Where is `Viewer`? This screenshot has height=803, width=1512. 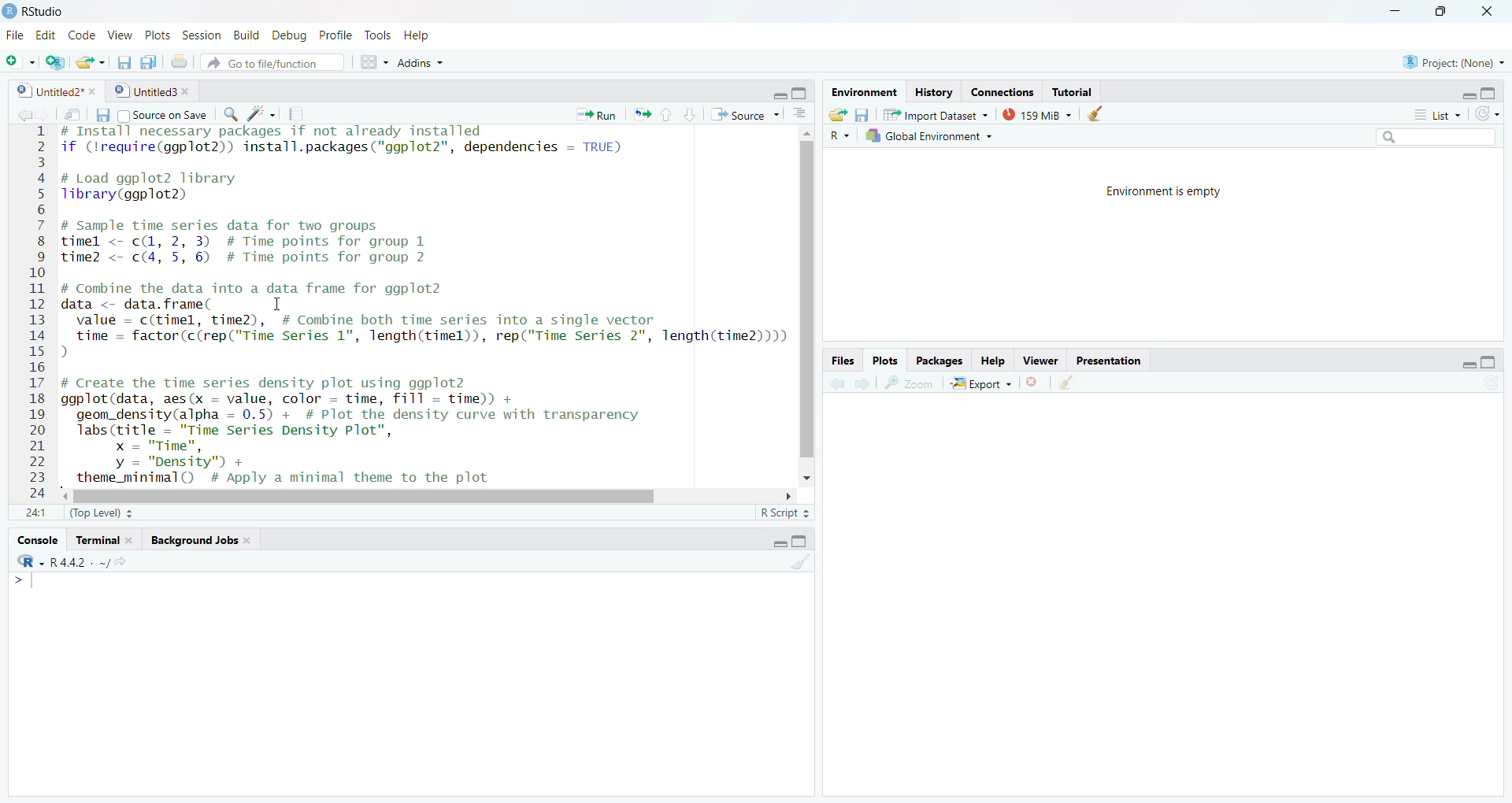
Viewer is located at coordinates (1043, 361).